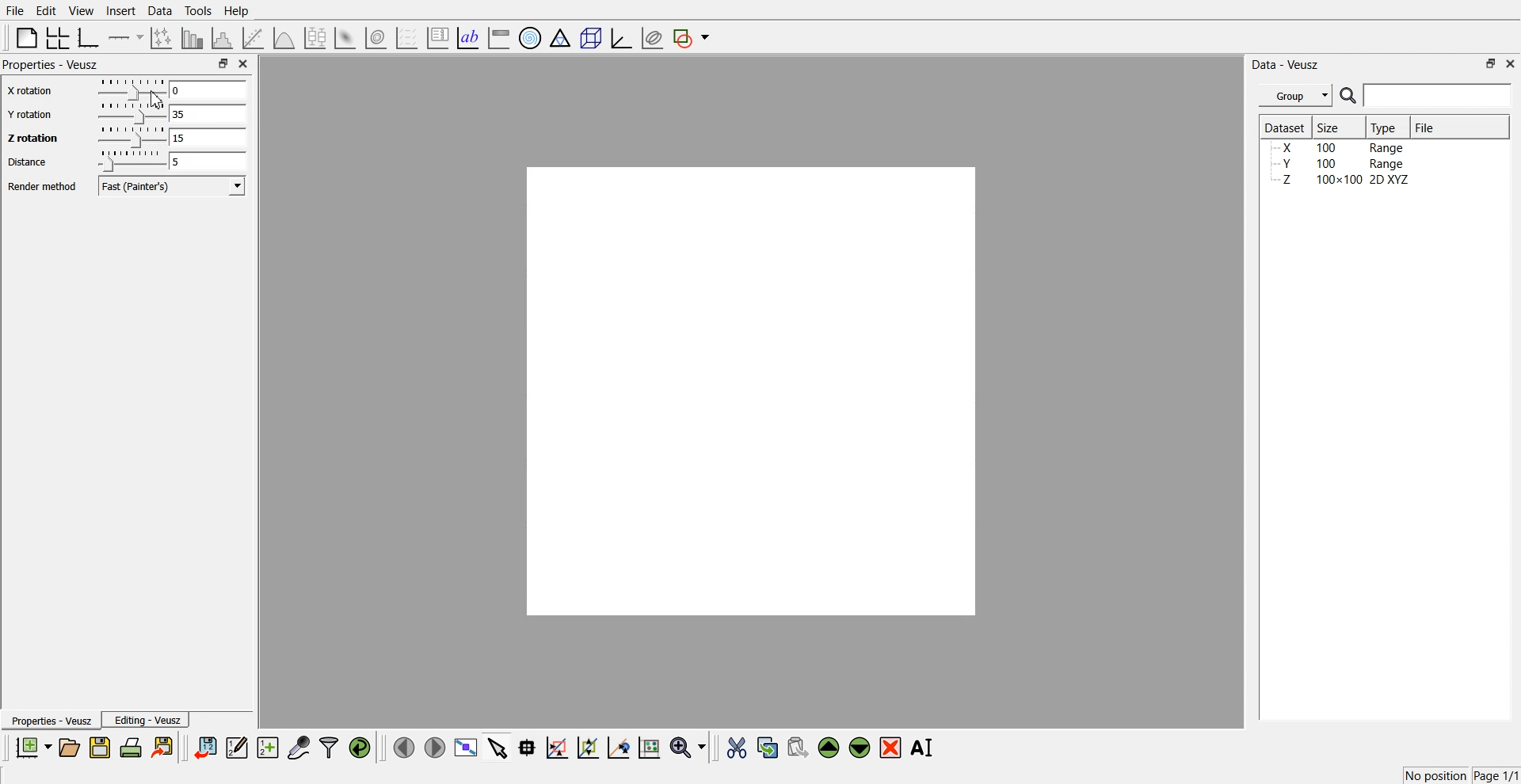 The width and height of the screenshot is (1521, 784). What do you see at coordinates (32, 747) in the screenshot?
I see `New document` at bounding box center [32, 747].